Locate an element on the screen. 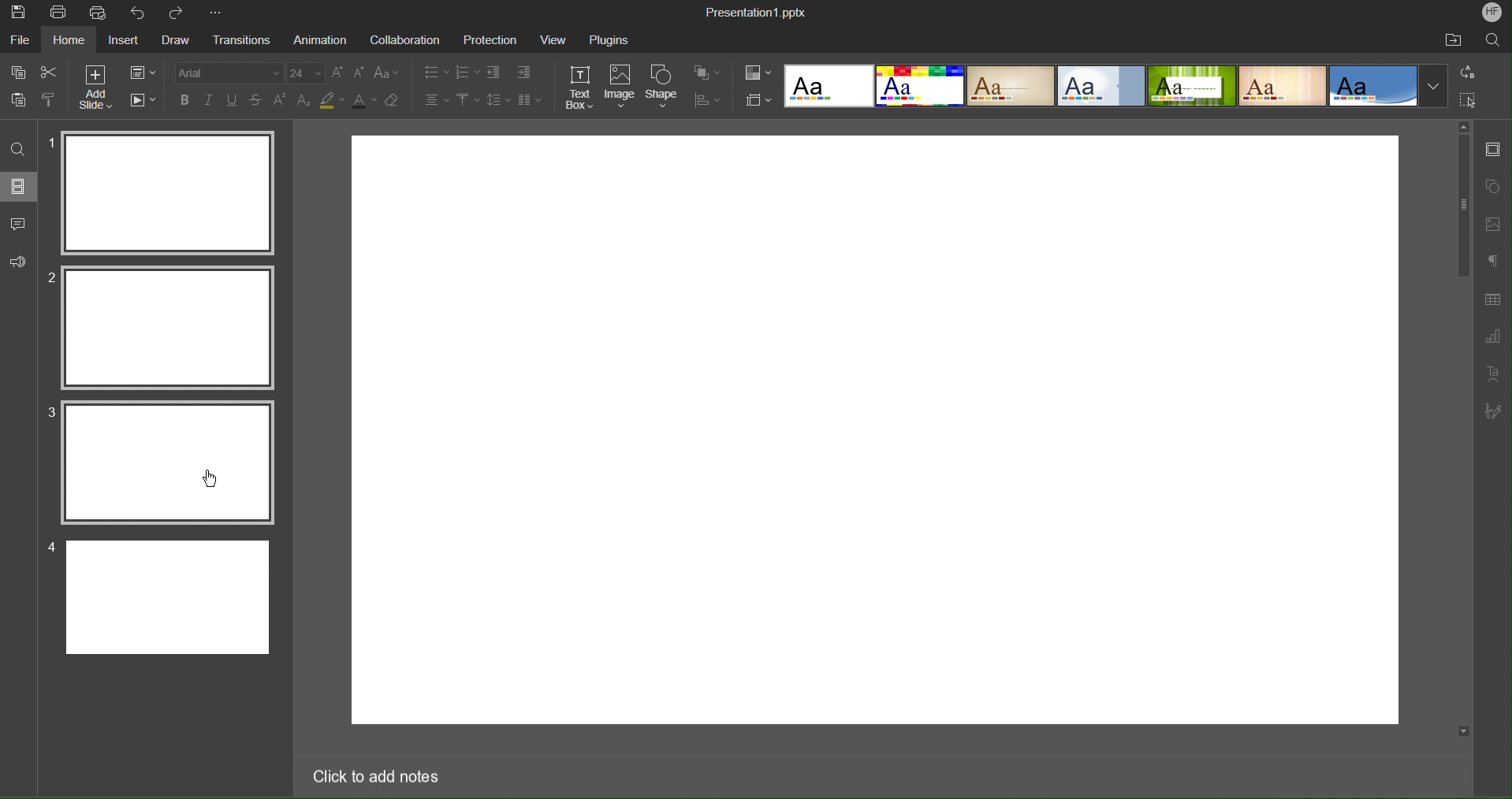  Color is located at coordinates (758, 72).